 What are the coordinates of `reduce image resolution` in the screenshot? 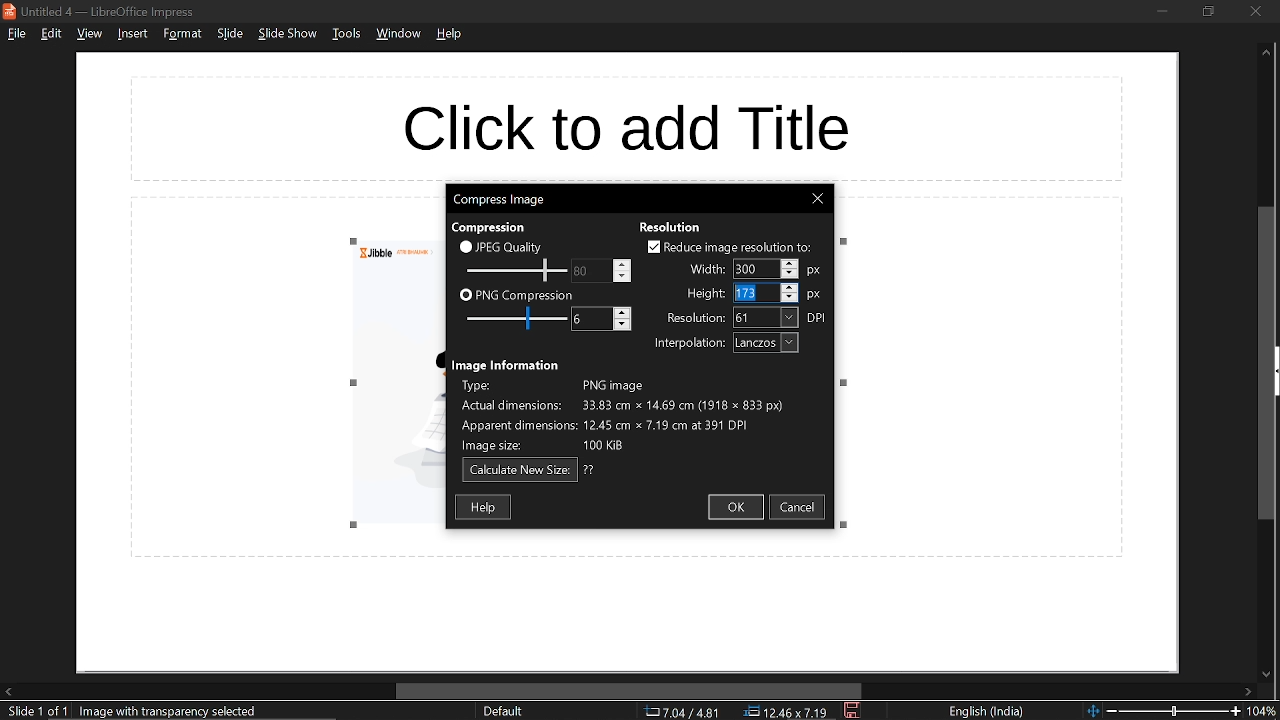 It's located at (740, 247).